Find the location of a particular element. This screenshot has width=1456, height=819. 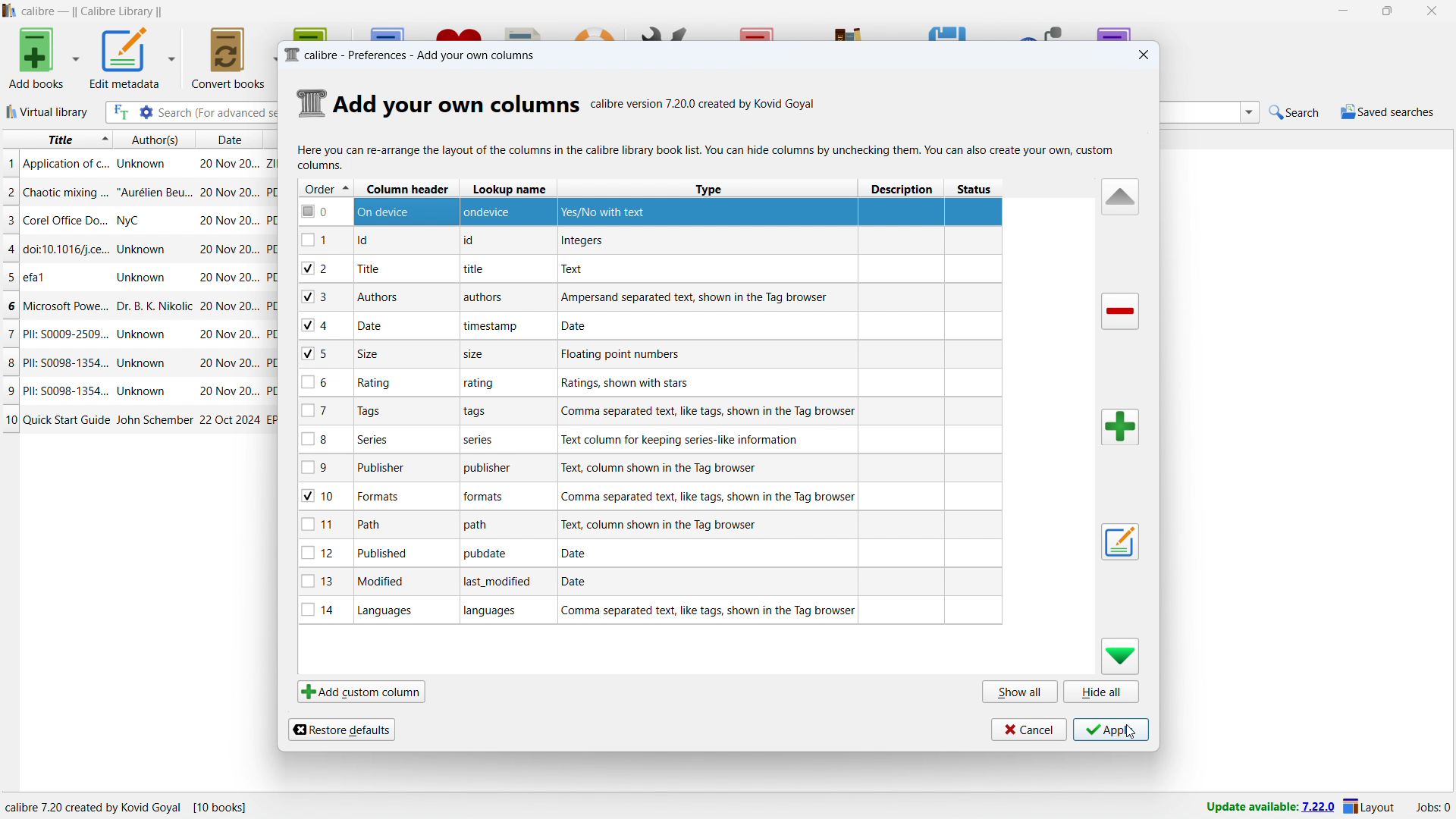

title is located at coordinates (67, 248).